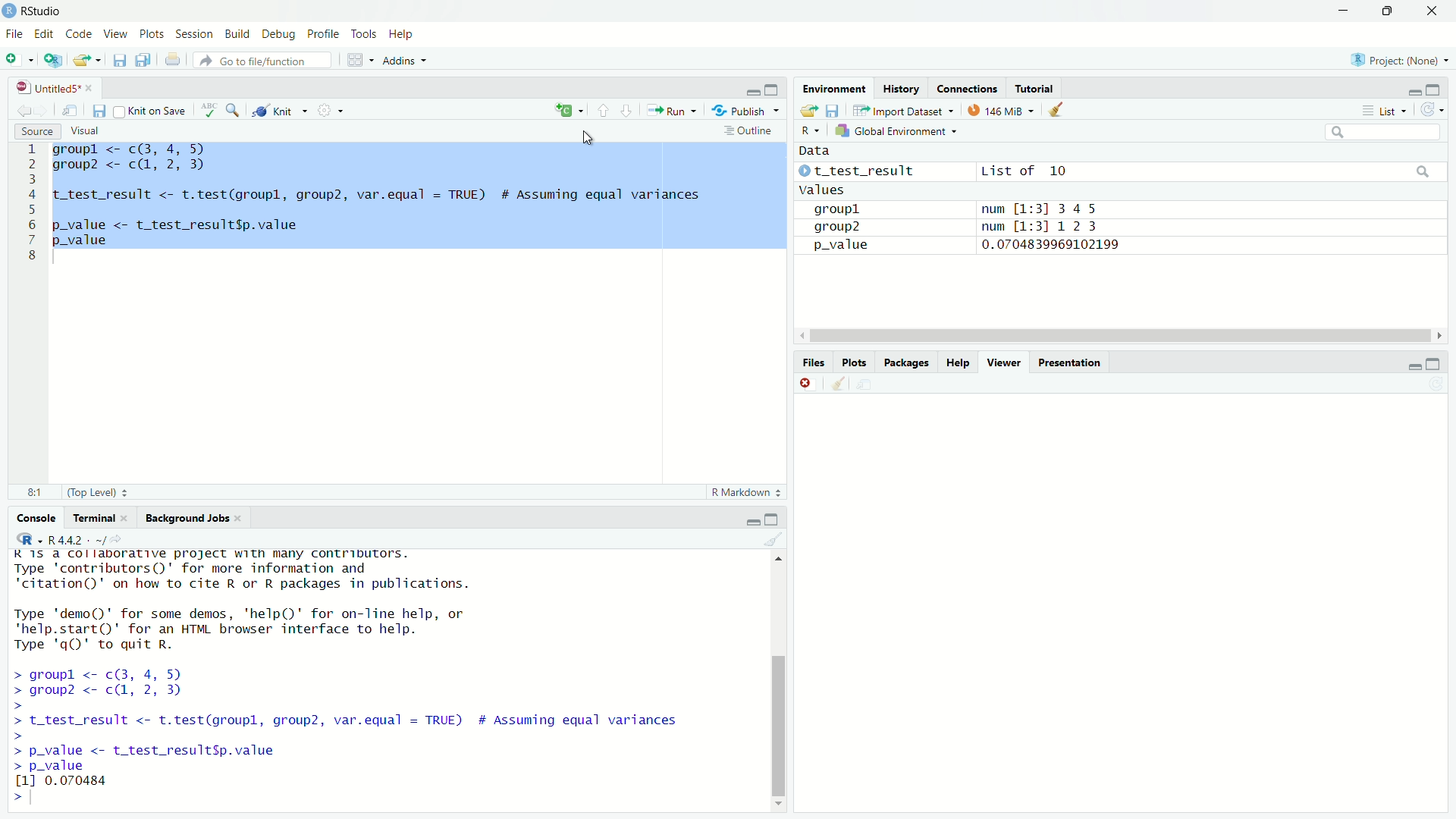 The image size is (1456, 819). Describe the element at coordinates (79, 32) in the screenshot. I see `Code` at that location.